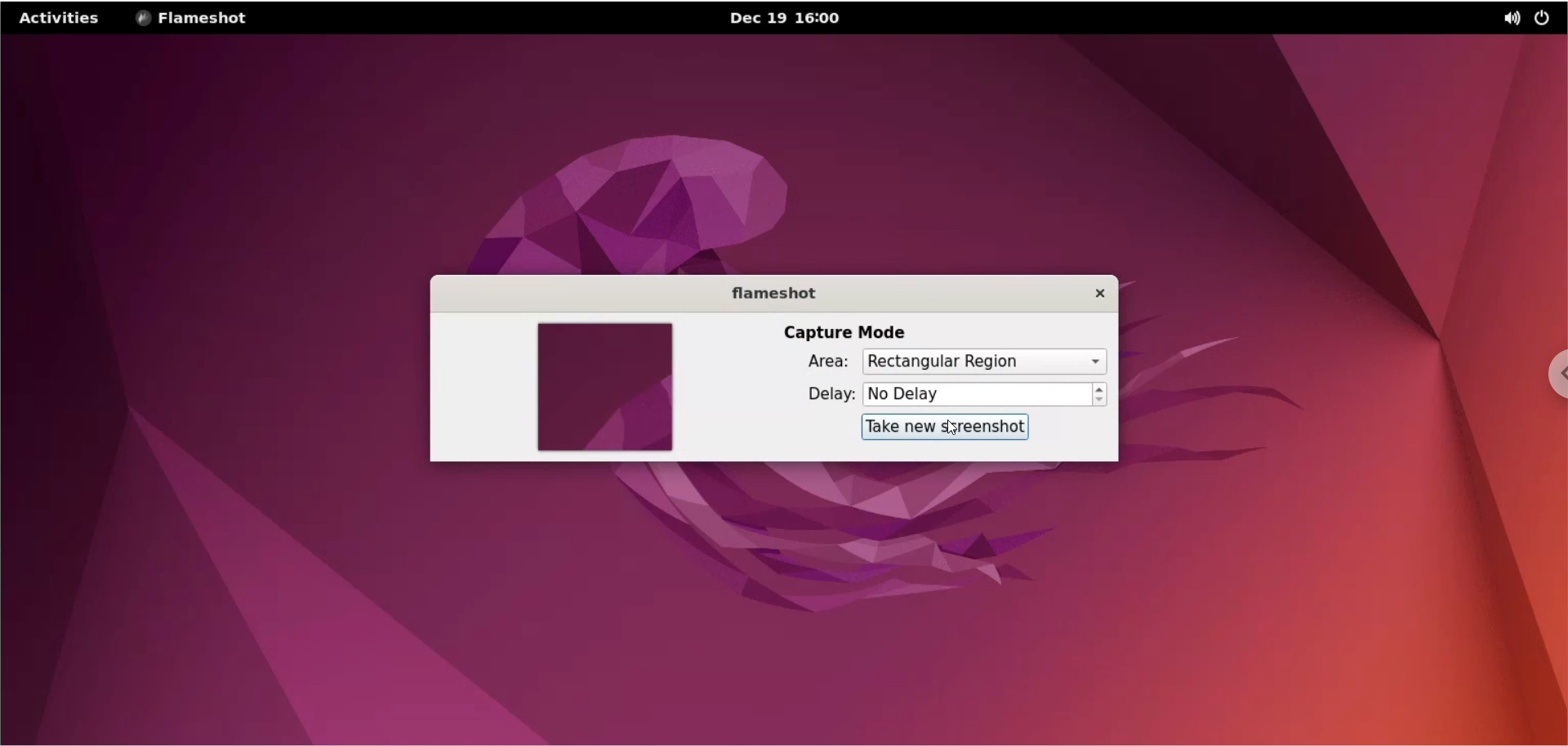 The image size is (1568, 746). What do you see at coordinates (822, 363) in the screenshot?
I see `area label` at bounding box center [822, 363].